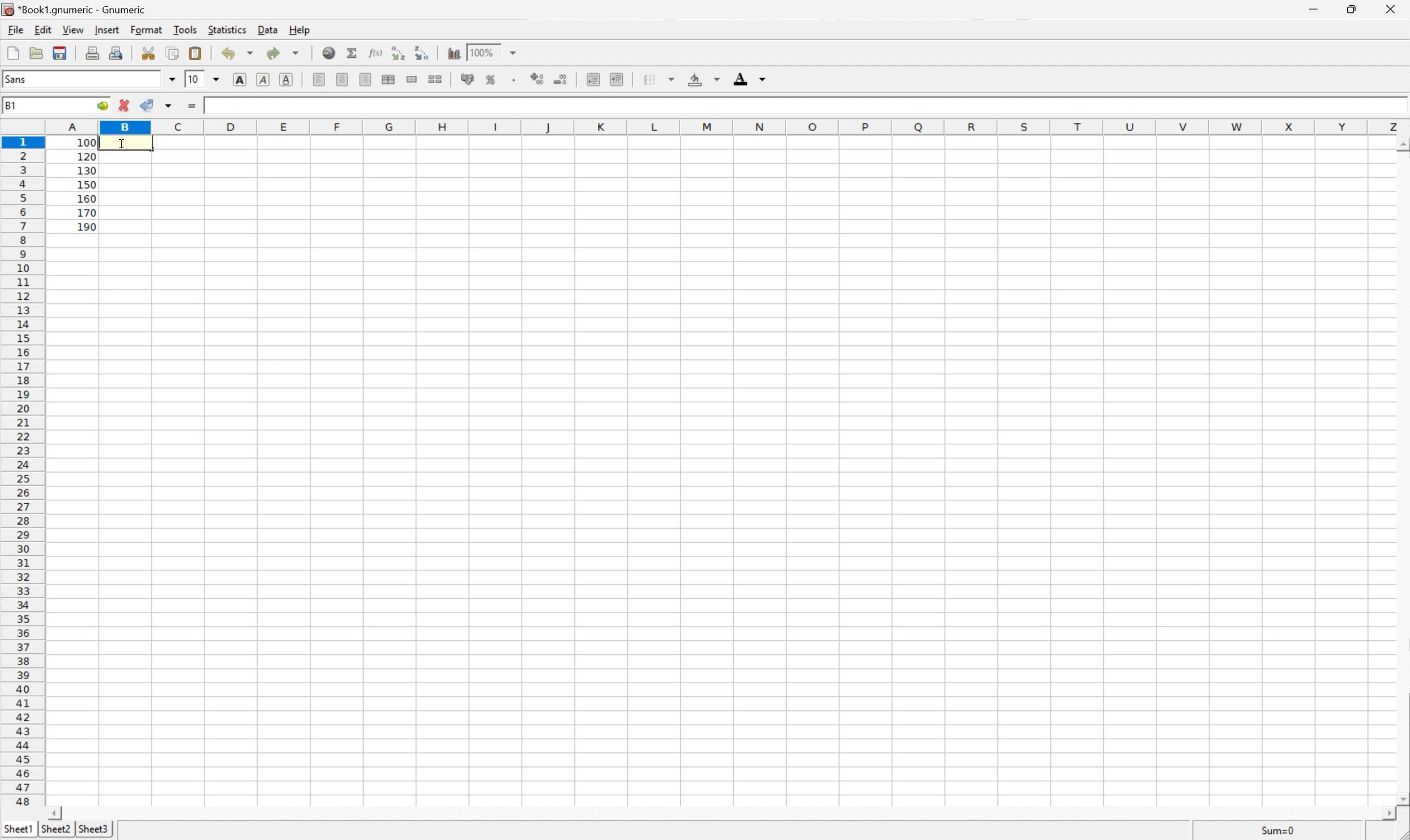 Image resolution: width=1410 pixels, height=840 pixels. I want to click on Help, so click(301, 28).